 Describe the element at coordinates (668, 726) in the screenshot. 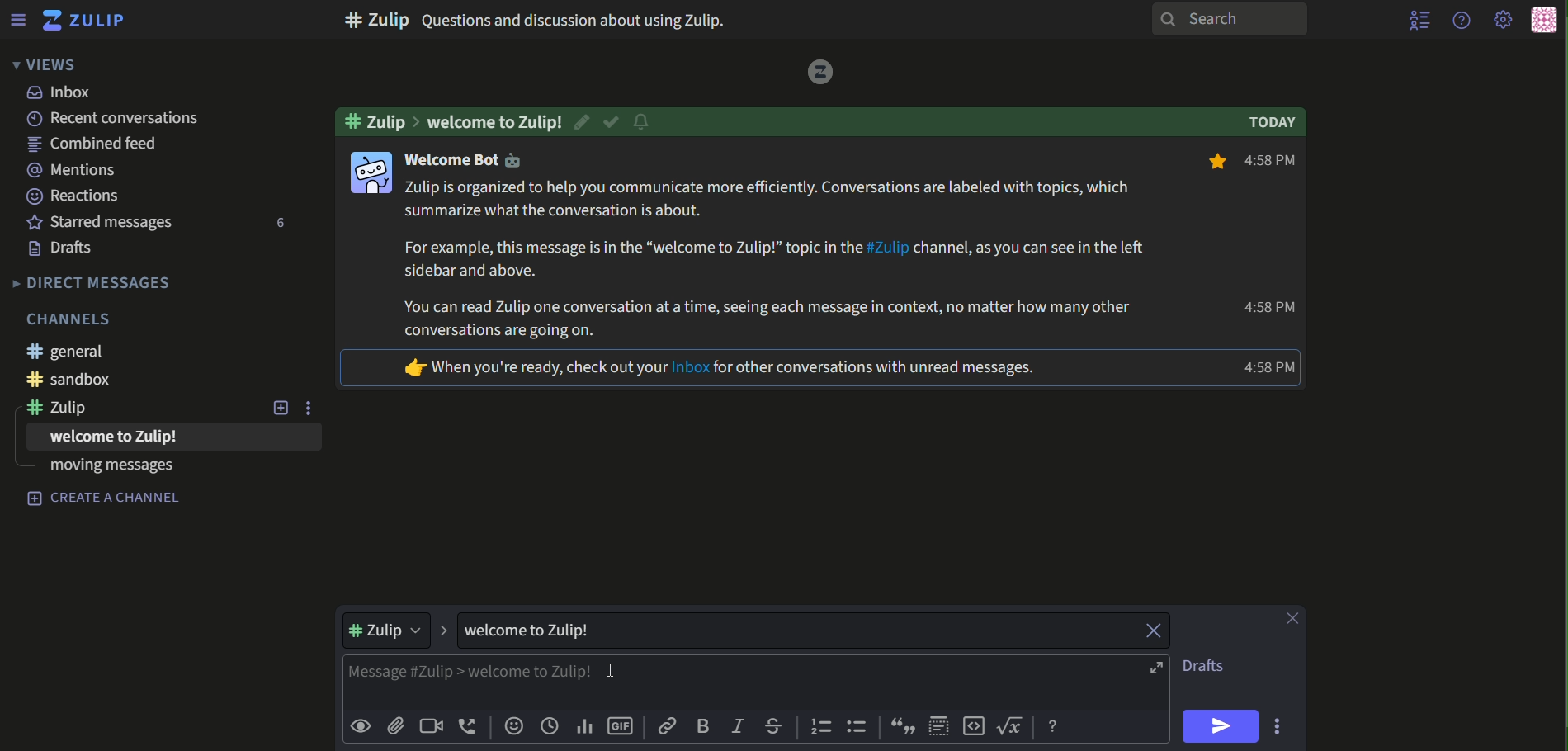

I see `link` at that location.